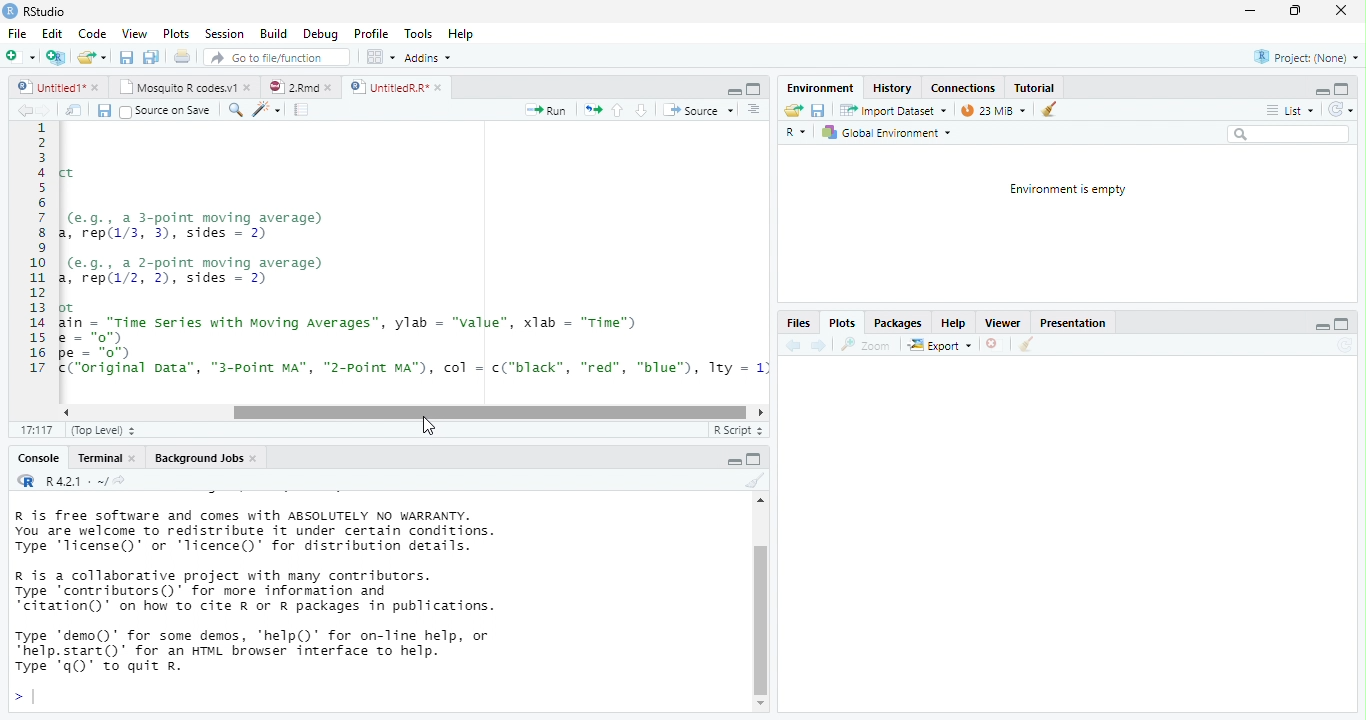 This screenshot has height=720, width=1366. What do you see at coordinates (992, 110) in the screenshot?
I see `23 MiB` at bounding box center [992, 110].